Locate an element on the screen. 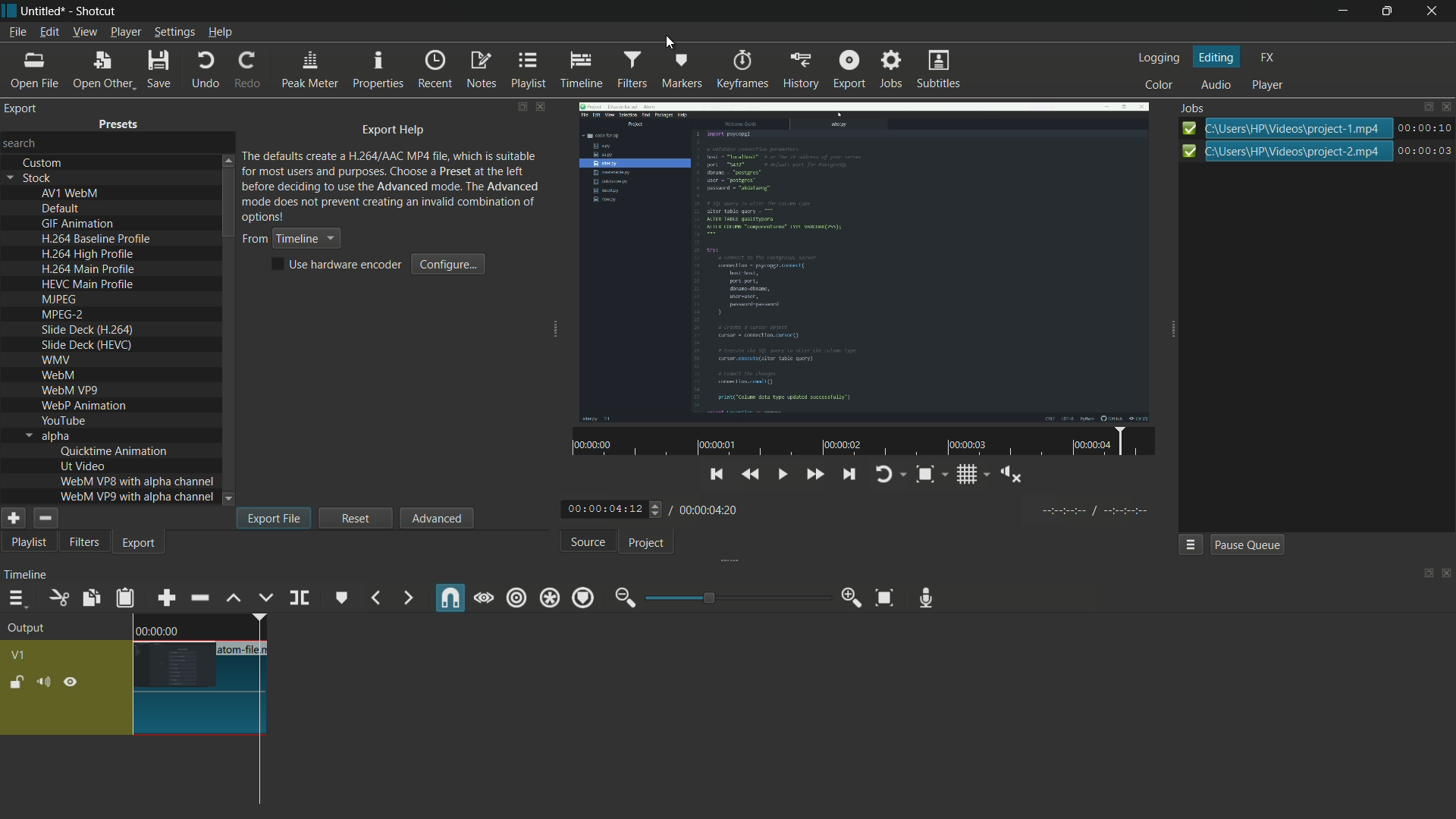  zoom out is located at coordinates (623, 598).